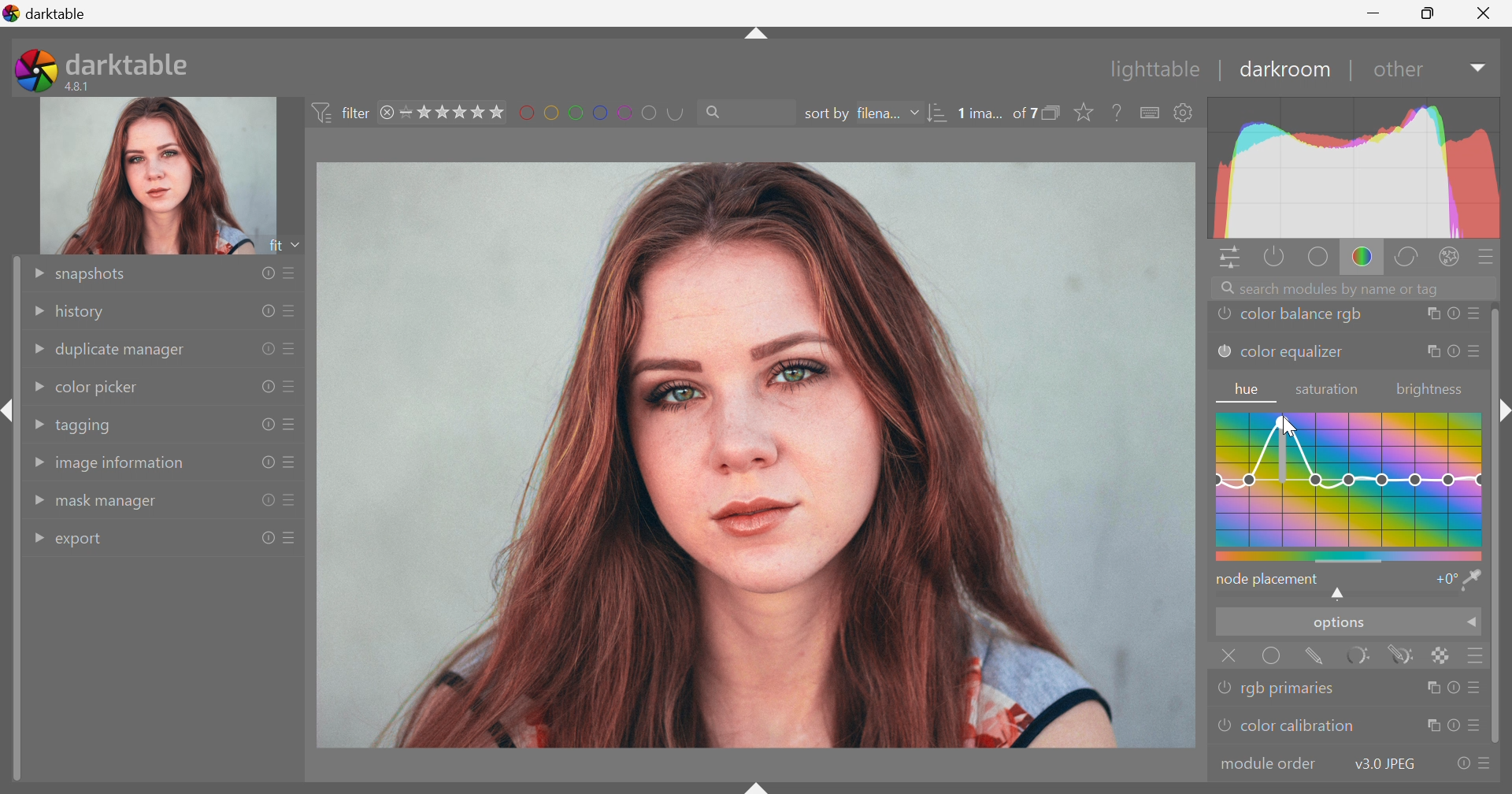  I want to click on shift+ctrl+t, so click(754, 38).